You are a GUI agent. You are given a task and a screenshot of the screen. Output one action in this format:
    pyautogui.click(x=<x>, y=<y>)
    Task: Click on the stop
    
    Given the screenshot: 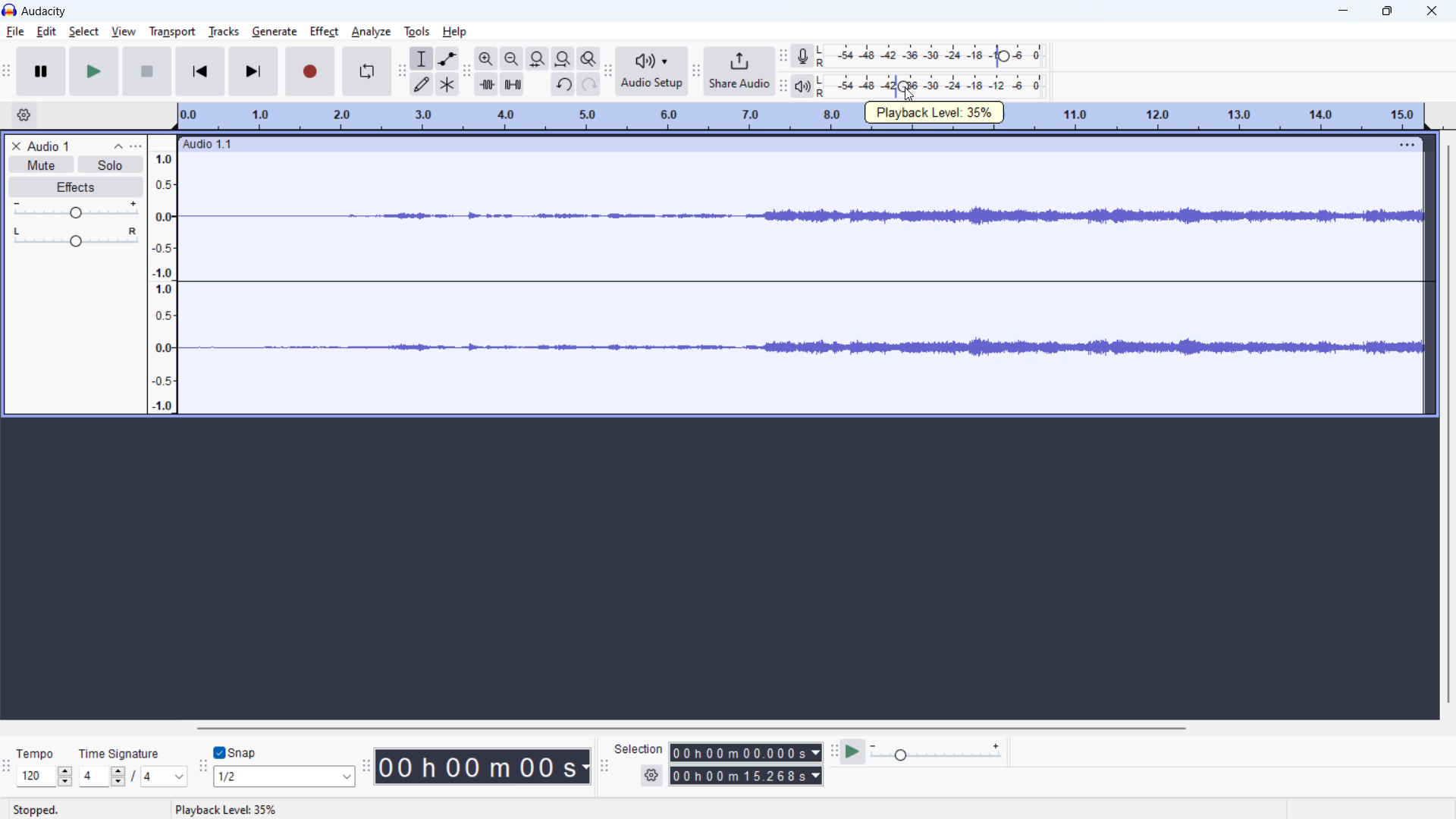 What is the action you would take?
    pyautogui.click(x=146, y=71)
    